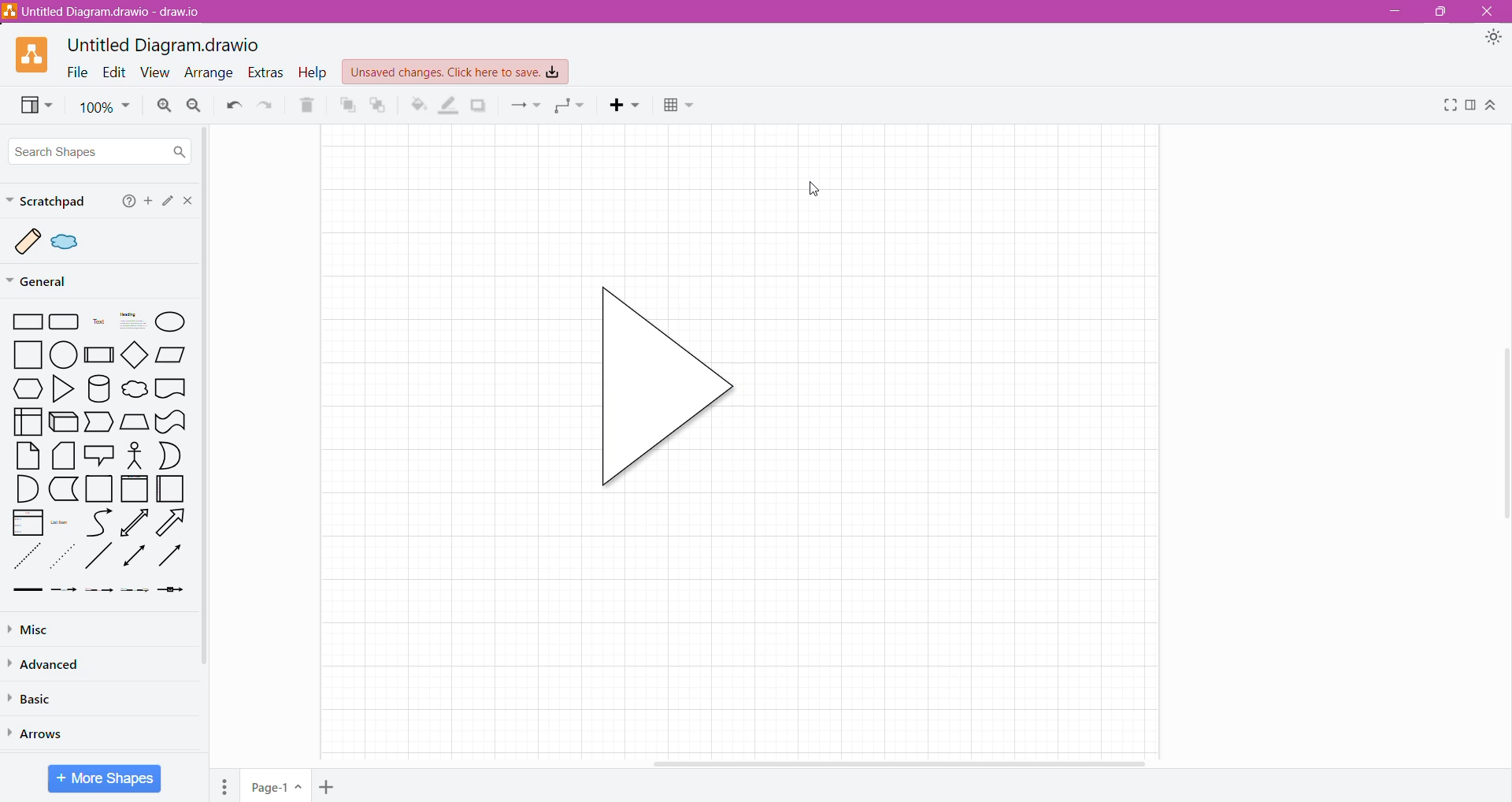  What do you see at coordinates (1488, 11) in the screenshot?
I see `Close` at bounding box center [1488, 11].